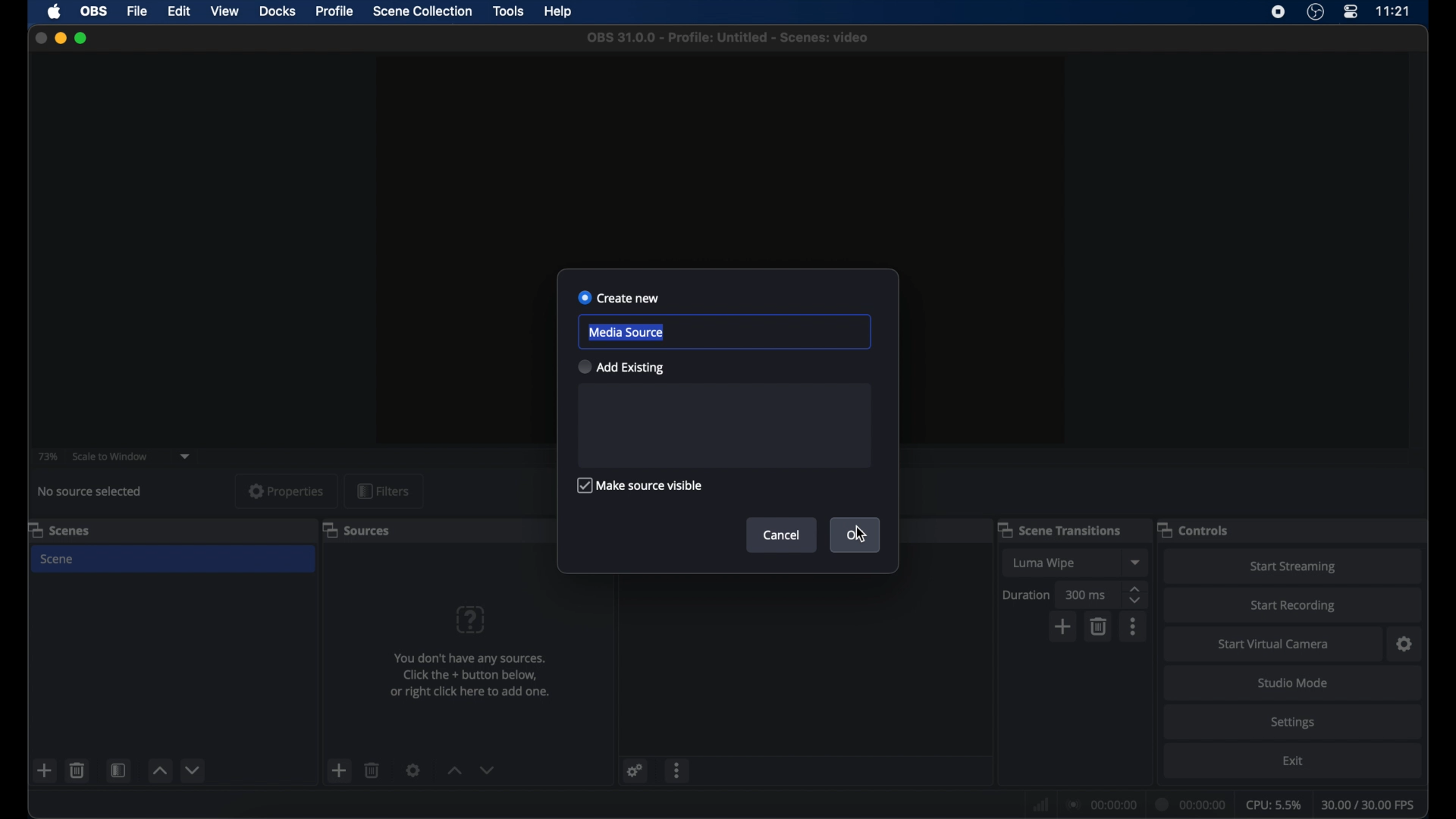 The width and height of the screenshot is (1456, 819). I want to click on make source visible, so click(638, 485).